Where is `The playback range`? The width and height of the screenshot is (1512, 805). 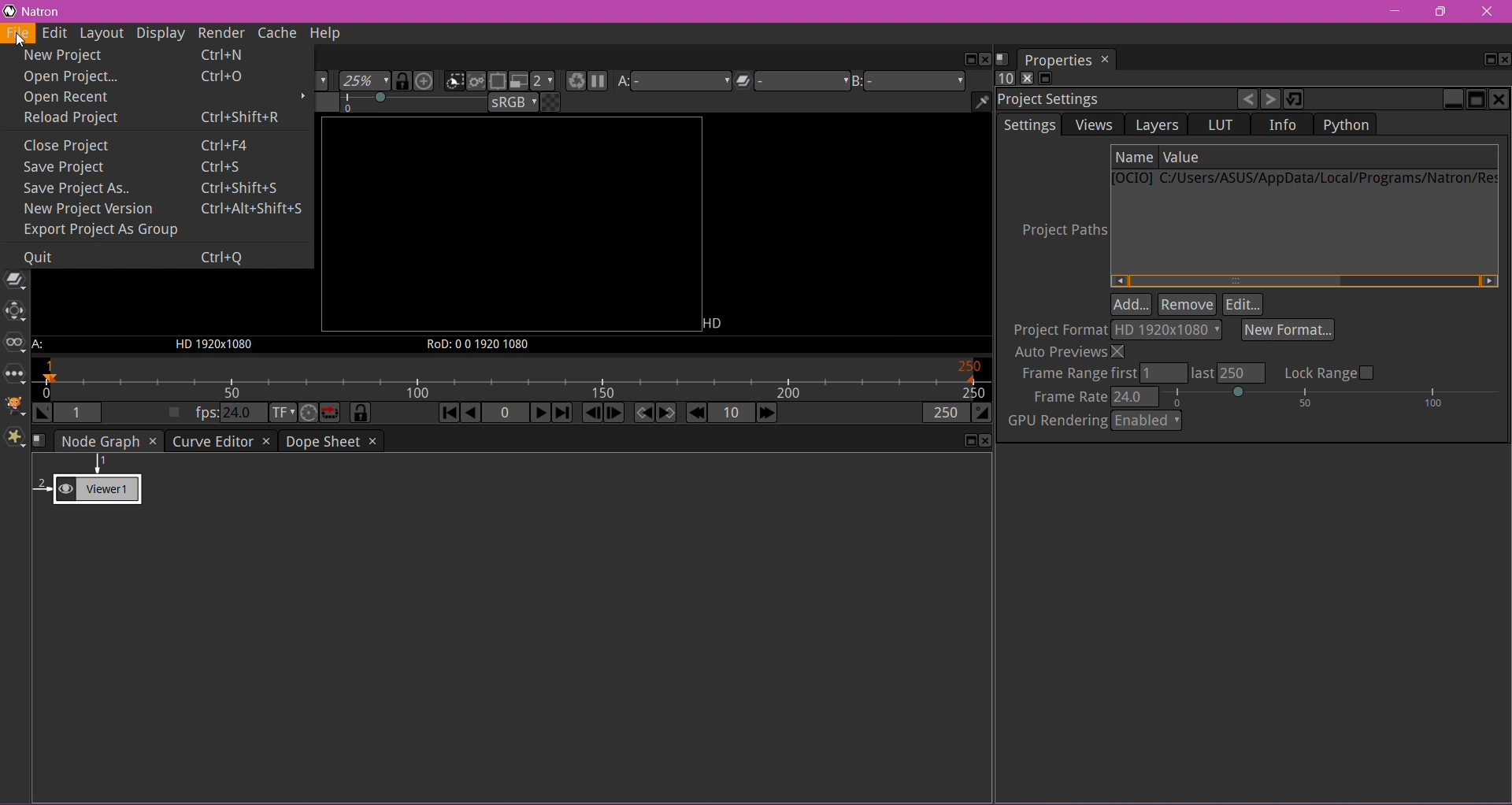 The playback range is located at coordinates (512, 380).